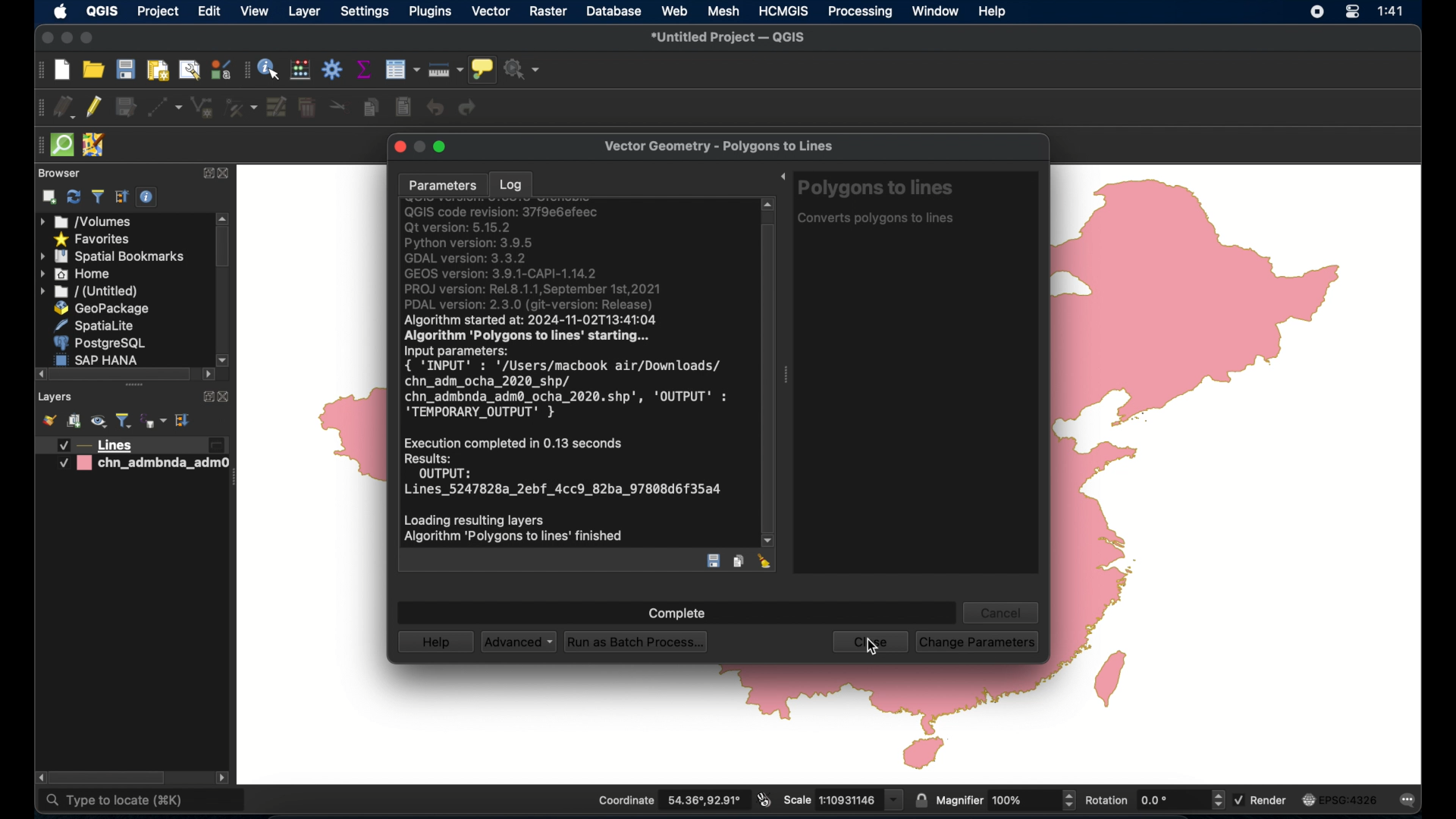 This screenshot has width=1456, height=819. Describe the element at coordinates (783, 11) in the screenshot. I see `HCMGIS` at that location.